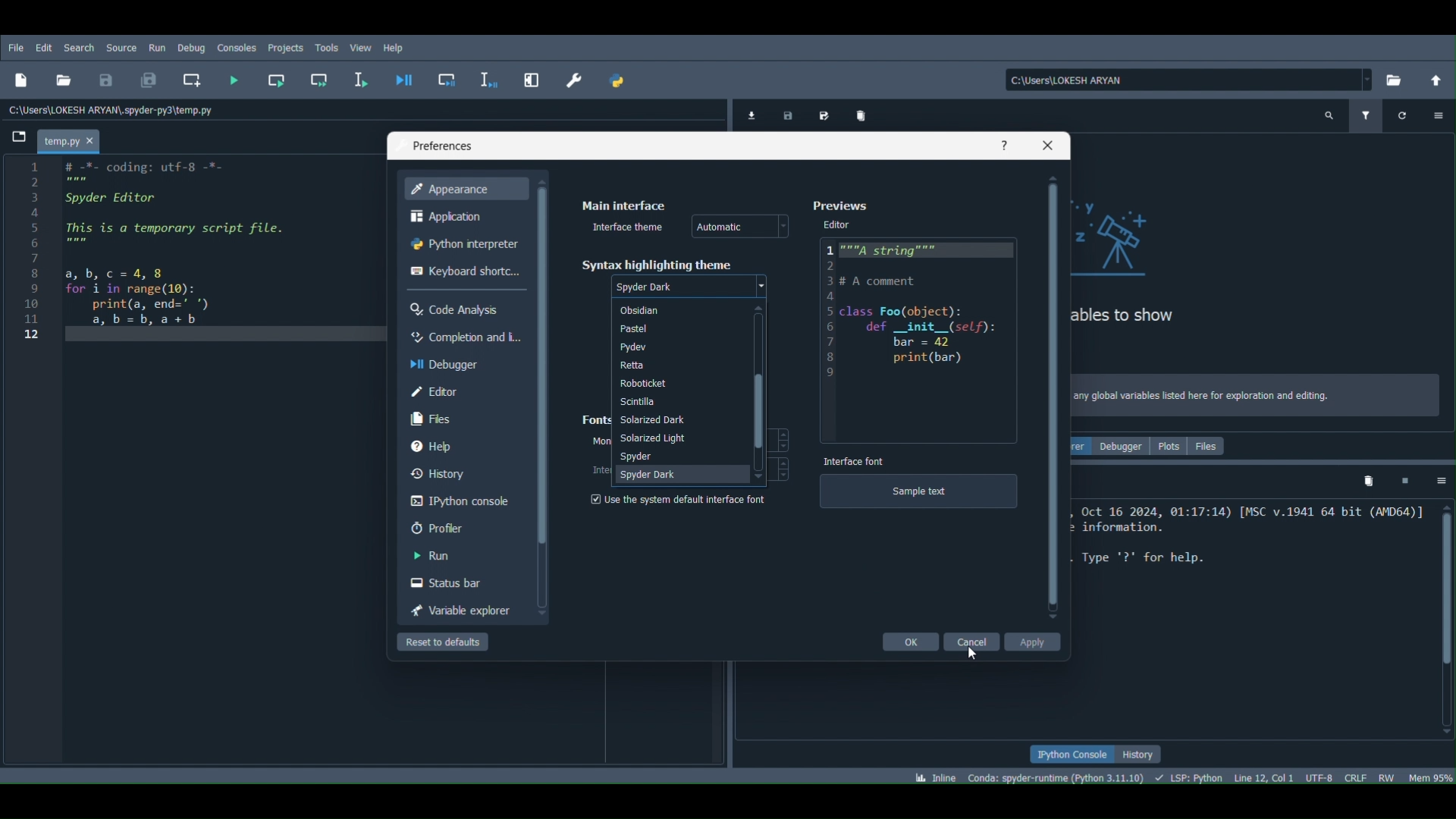 The width and height of the screenshot is (1456, 819). I want to click on Browse tabs, so click(22, 136).